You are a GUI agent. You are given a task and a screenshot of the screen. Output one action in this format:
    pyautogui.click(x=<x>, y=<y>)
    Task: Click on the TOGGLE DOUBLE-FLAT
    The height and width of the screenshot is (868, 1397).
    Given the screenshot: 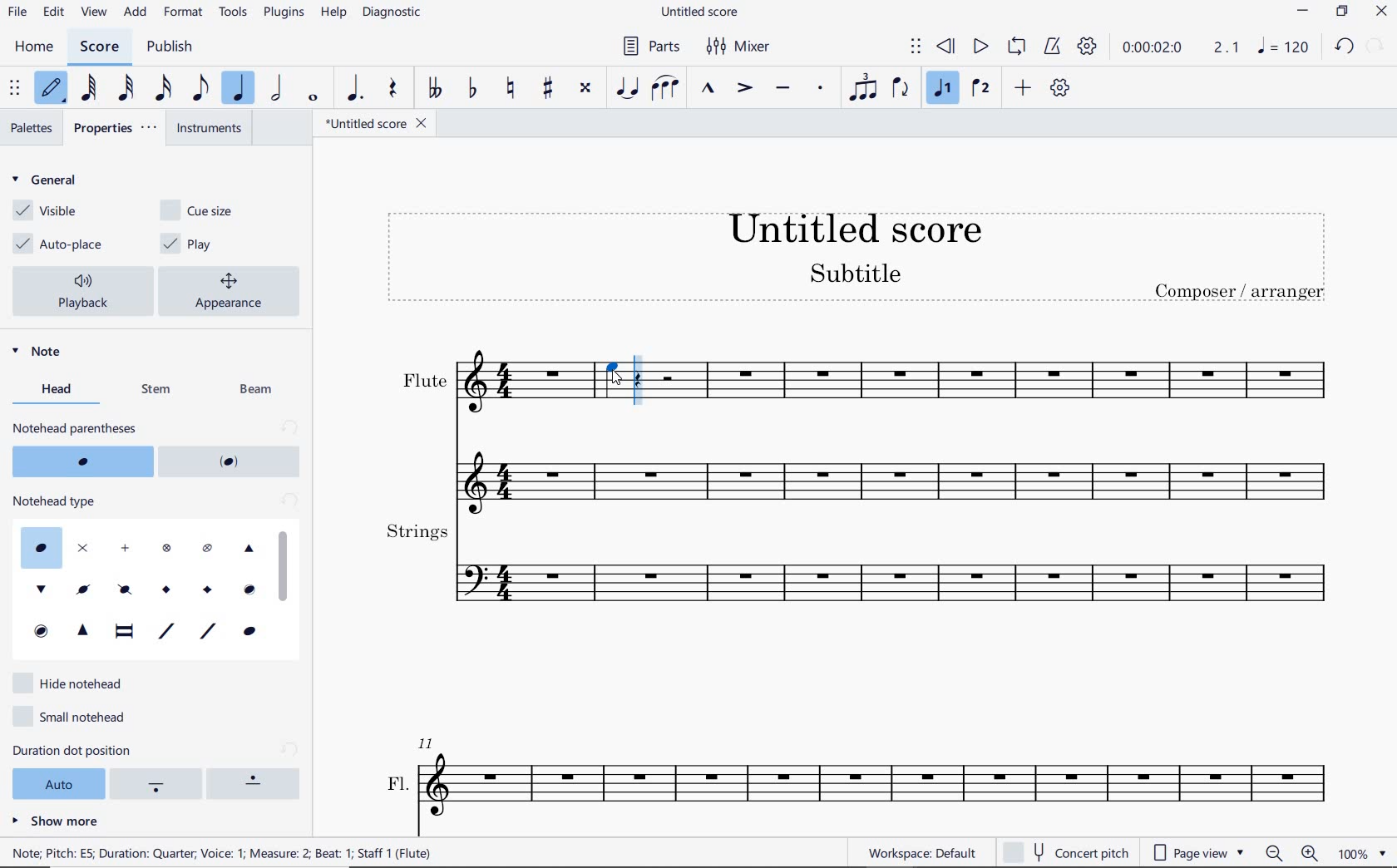 What is the action you would take?
    pyautogui.click(x=436, y=89)
    